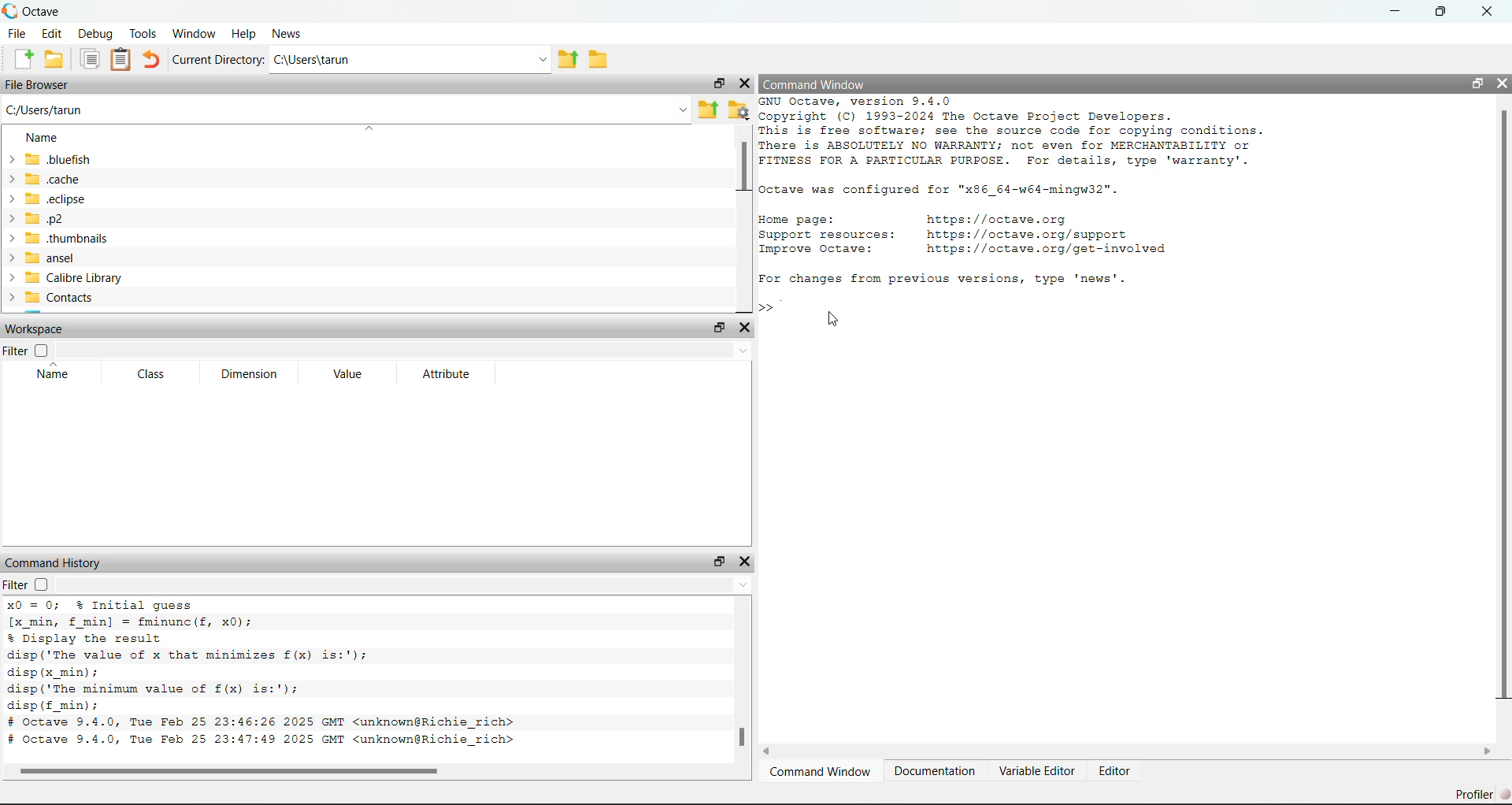 Image resolution: width=1512 pixels, height=805 pixels. Describe the element at coordinates (31, 584) in the screenshot. I see `Filter` at that location.